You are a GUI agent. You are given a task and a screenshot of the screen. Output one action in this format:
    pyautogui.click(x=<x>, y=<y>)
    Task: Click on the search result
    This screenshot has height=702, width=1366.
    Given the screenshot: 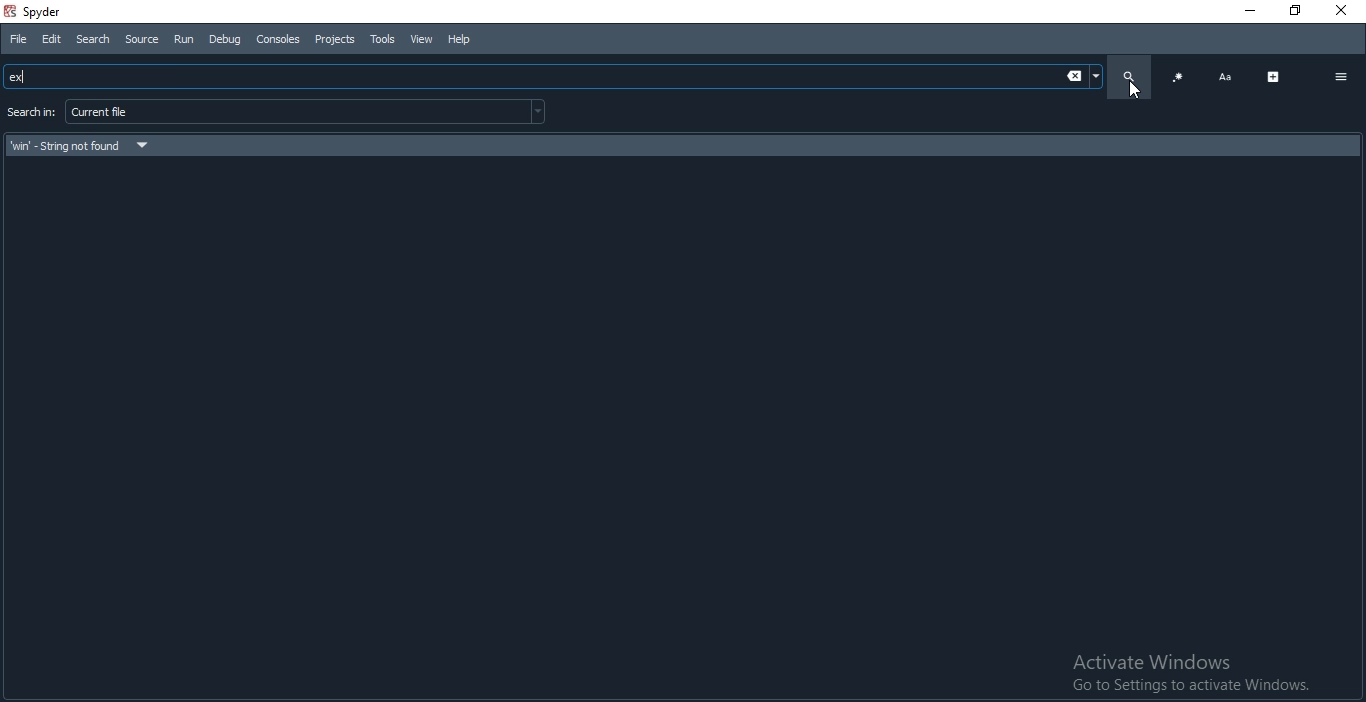 What is the action you would take?
    pyautogui.click(x=678, y=143)
    